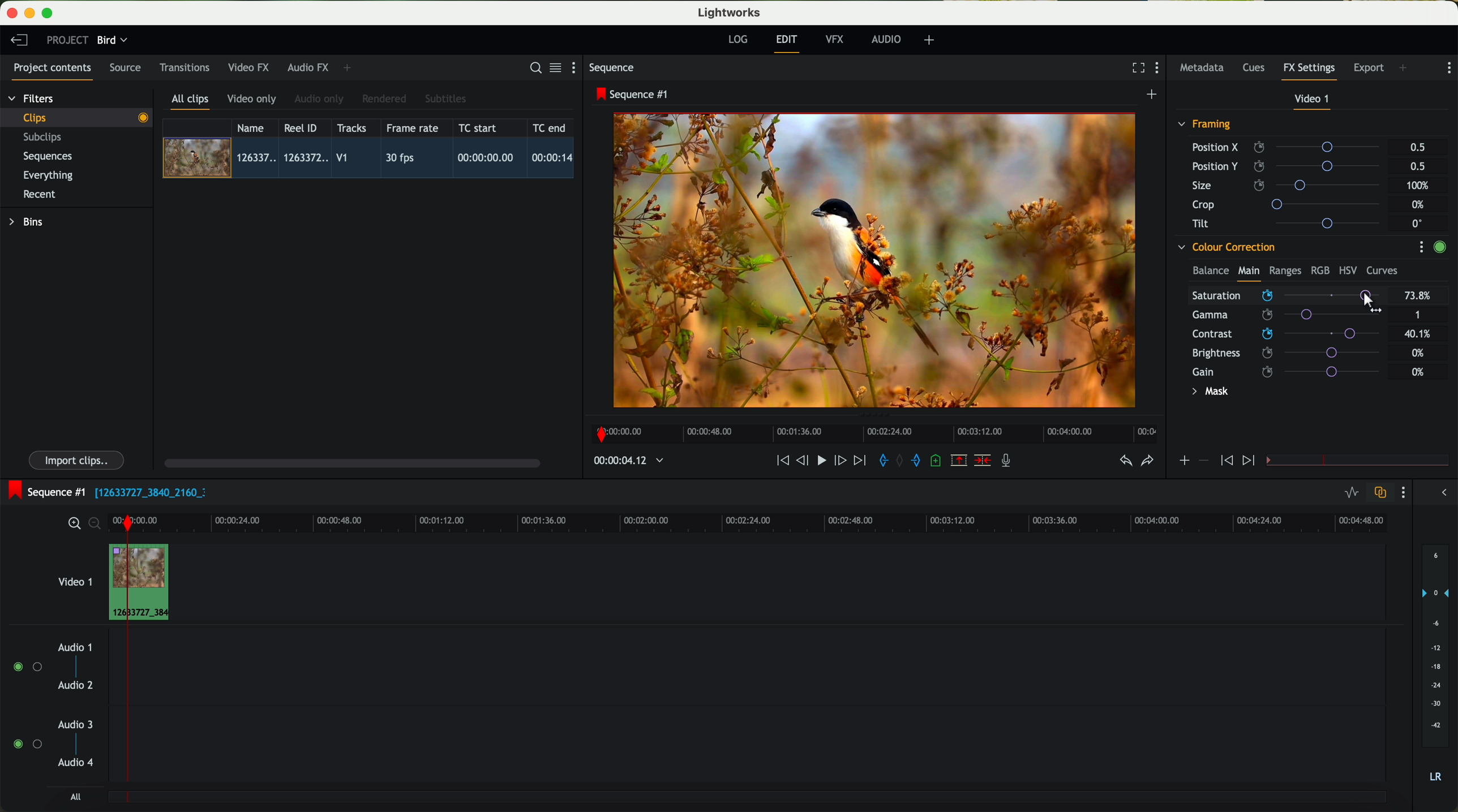  Describe the element at coordinates (1250, 461) in the screenshot. I see `icon` at that location.